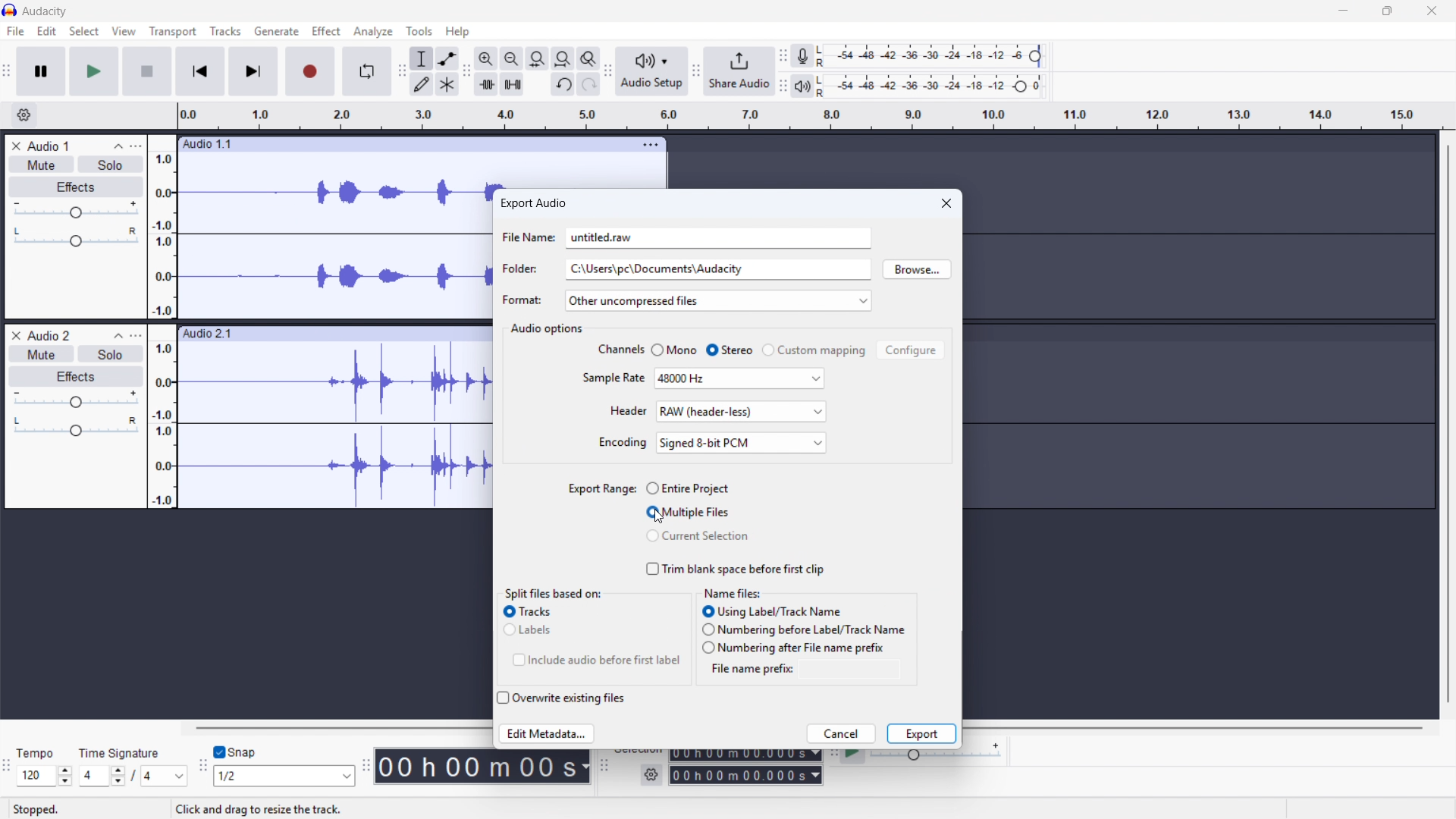 Image resolution: width=1456 pixels, height=819 pixels. What do you see at coordinates (368, 767) in the screenshot?
I see `Time toolbar` at bounding box center [368, 767].